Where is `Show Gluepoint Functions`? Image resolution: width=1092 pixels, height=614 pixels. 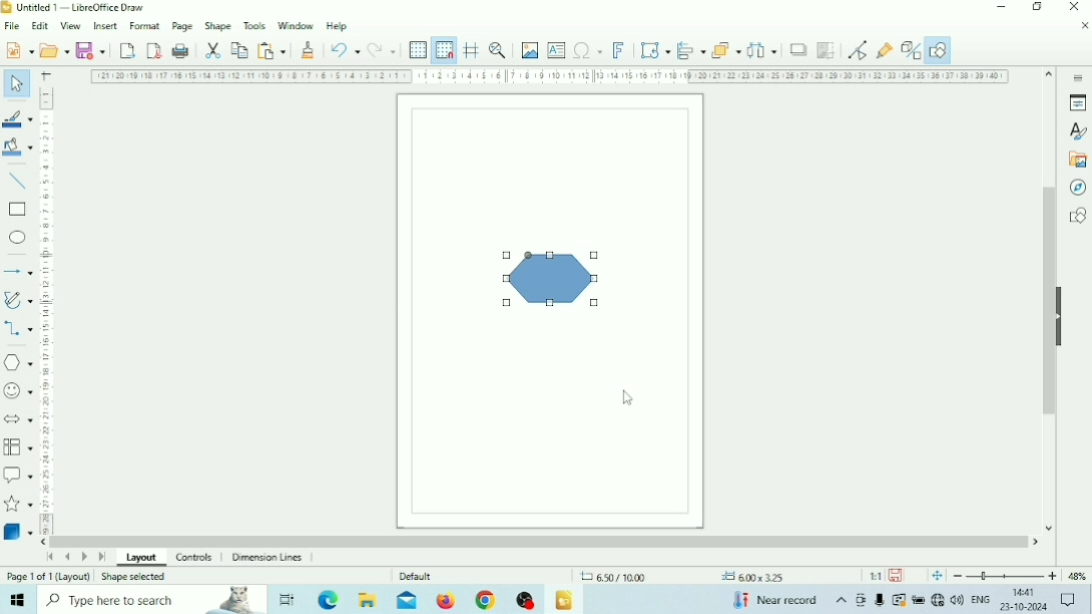 Show Gluepoint Functions is located at coordinates (884, 51).